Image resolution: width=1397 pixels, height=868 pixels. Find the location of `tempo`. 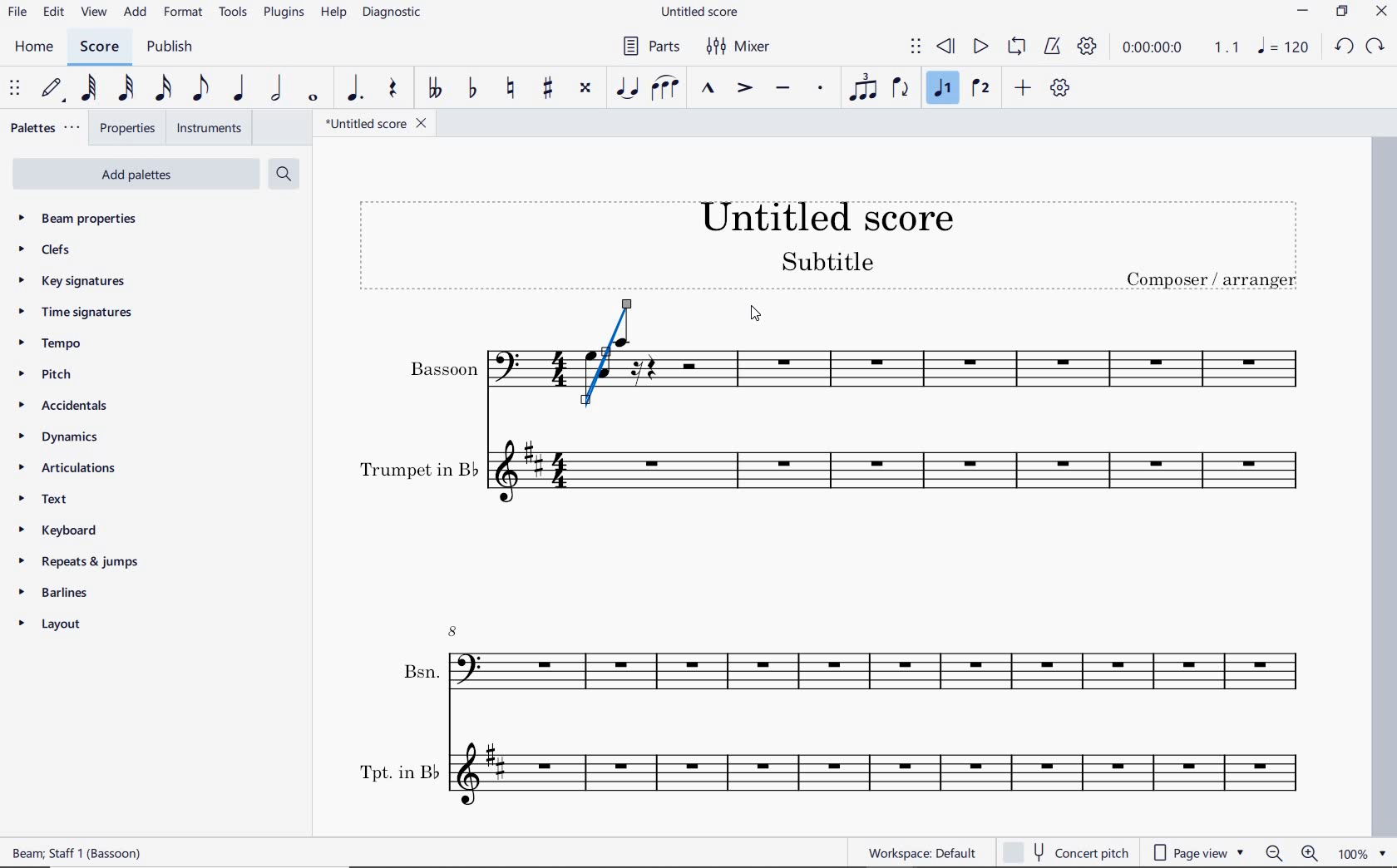

tempo is located at coordinates (54, 343).